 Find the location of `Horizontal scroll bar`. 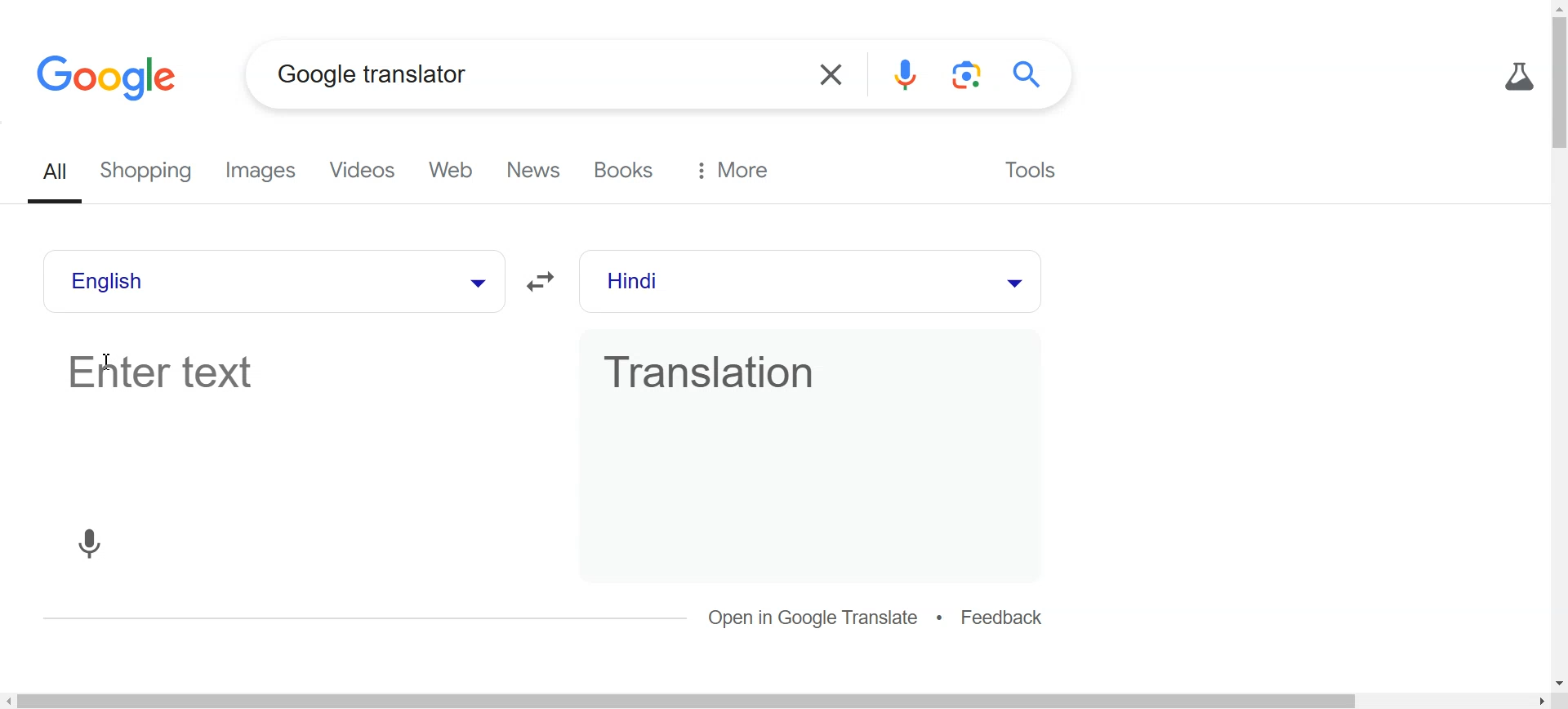

Horizontal scroll bar is located at coordinates (784, 700).